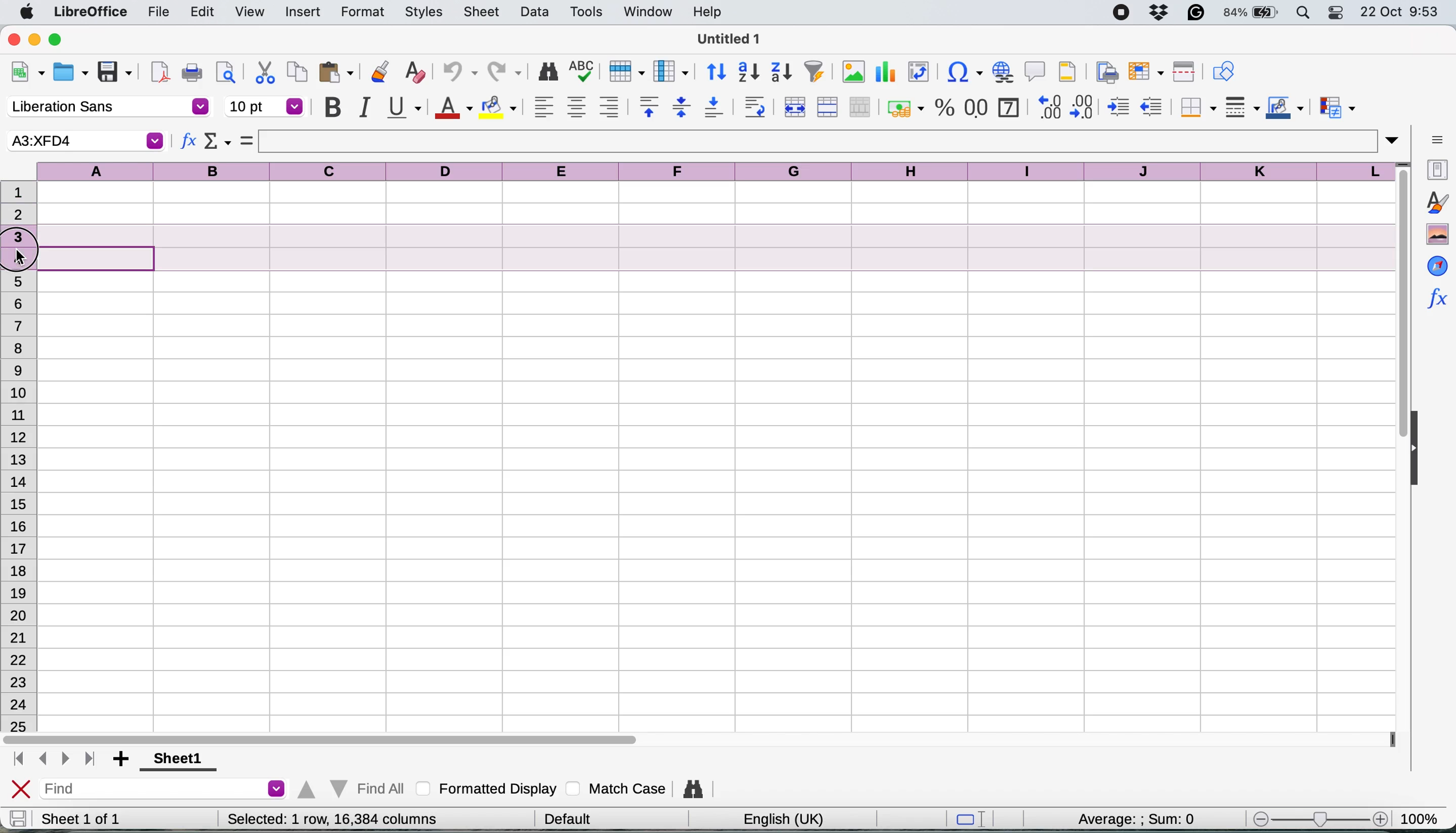  Describe the element at coordinates (483, 11) in the screenshot. I see `sheet` at that location.